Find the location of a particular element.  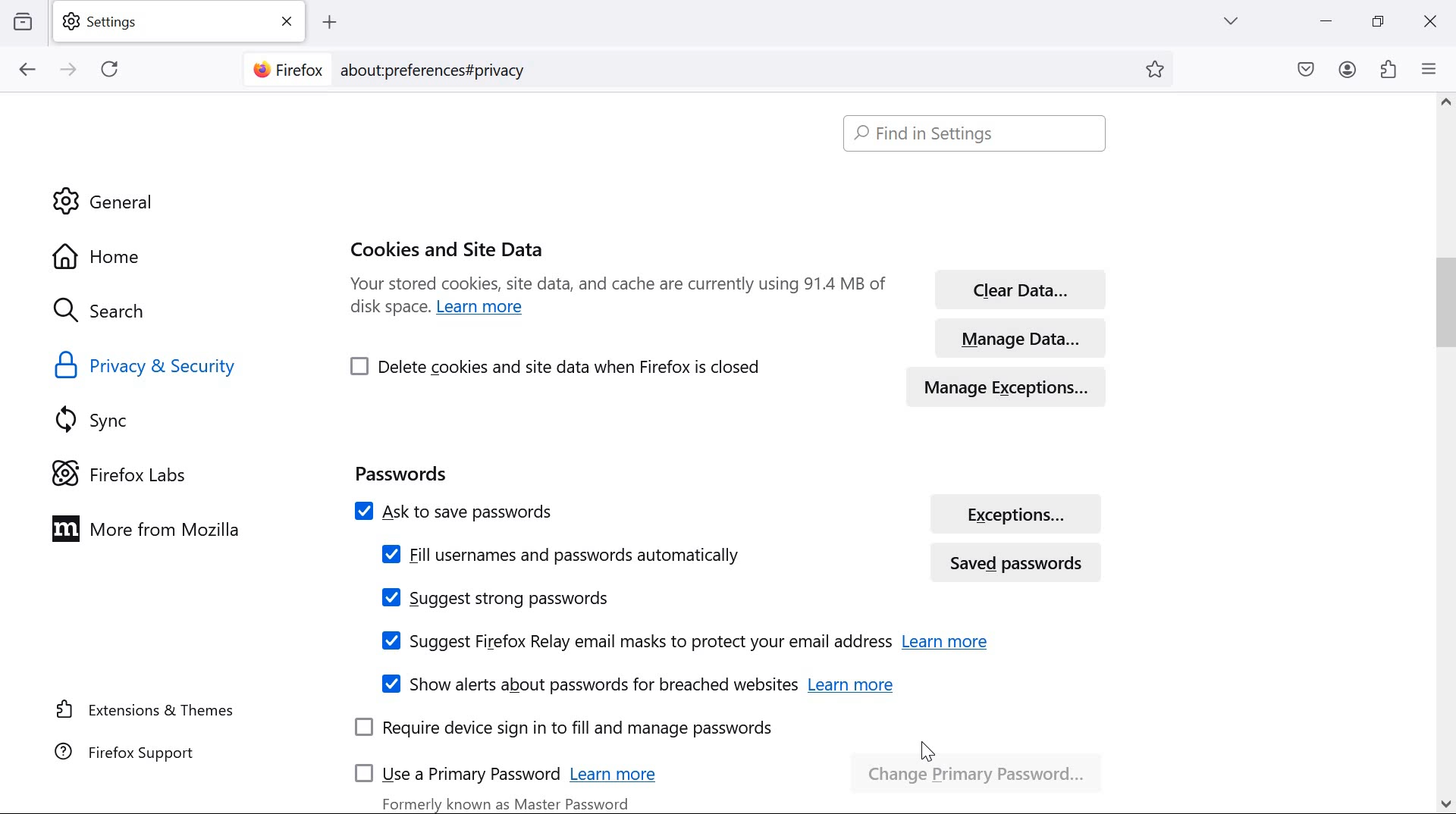

Exceptions... is located at coordinates (1018, 513).